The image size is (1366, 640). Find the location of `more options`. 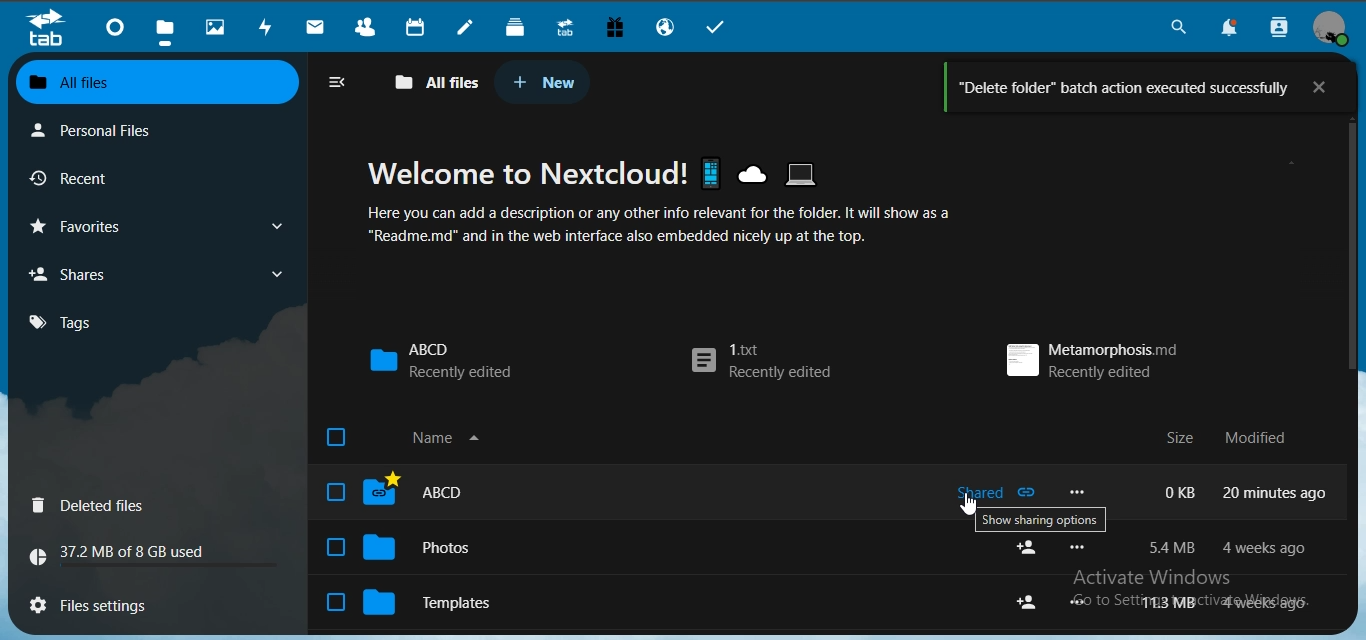

more options is located at coordinates (1082, 546).